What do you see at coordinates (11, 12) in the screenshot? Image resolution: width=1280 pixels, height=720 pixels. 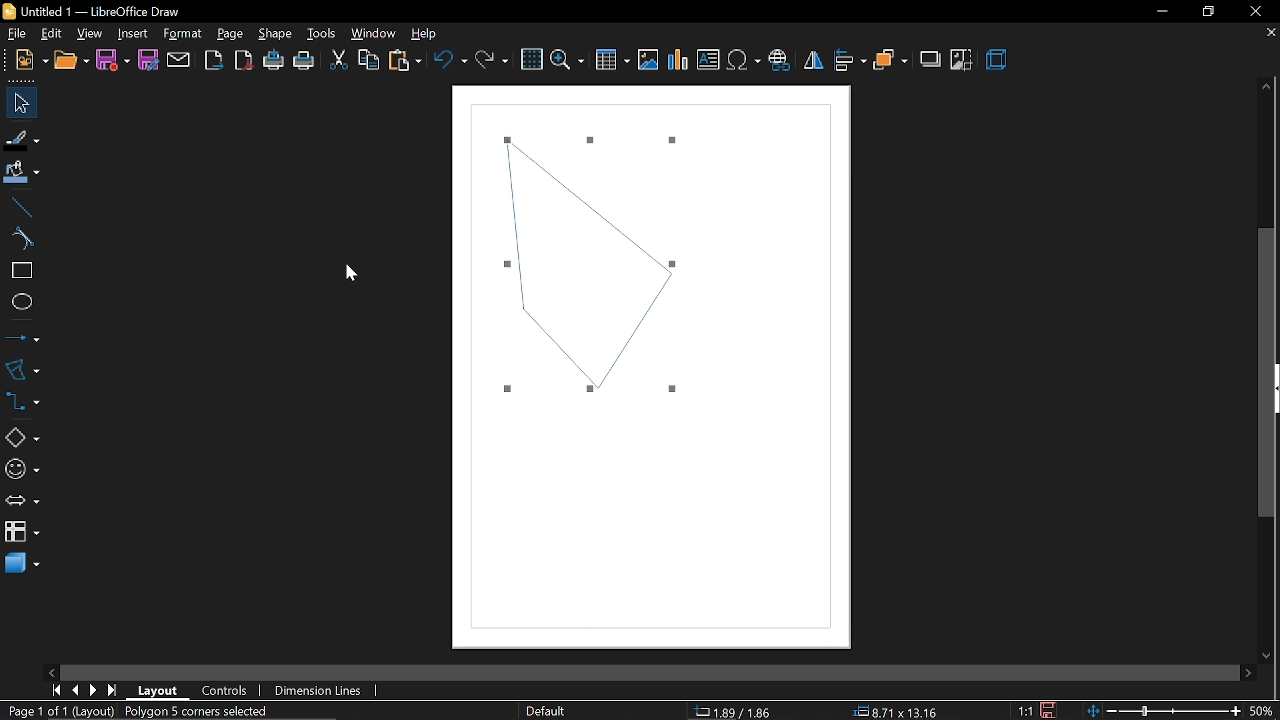 I see `logo Libre` at bounding box center [11, 12].